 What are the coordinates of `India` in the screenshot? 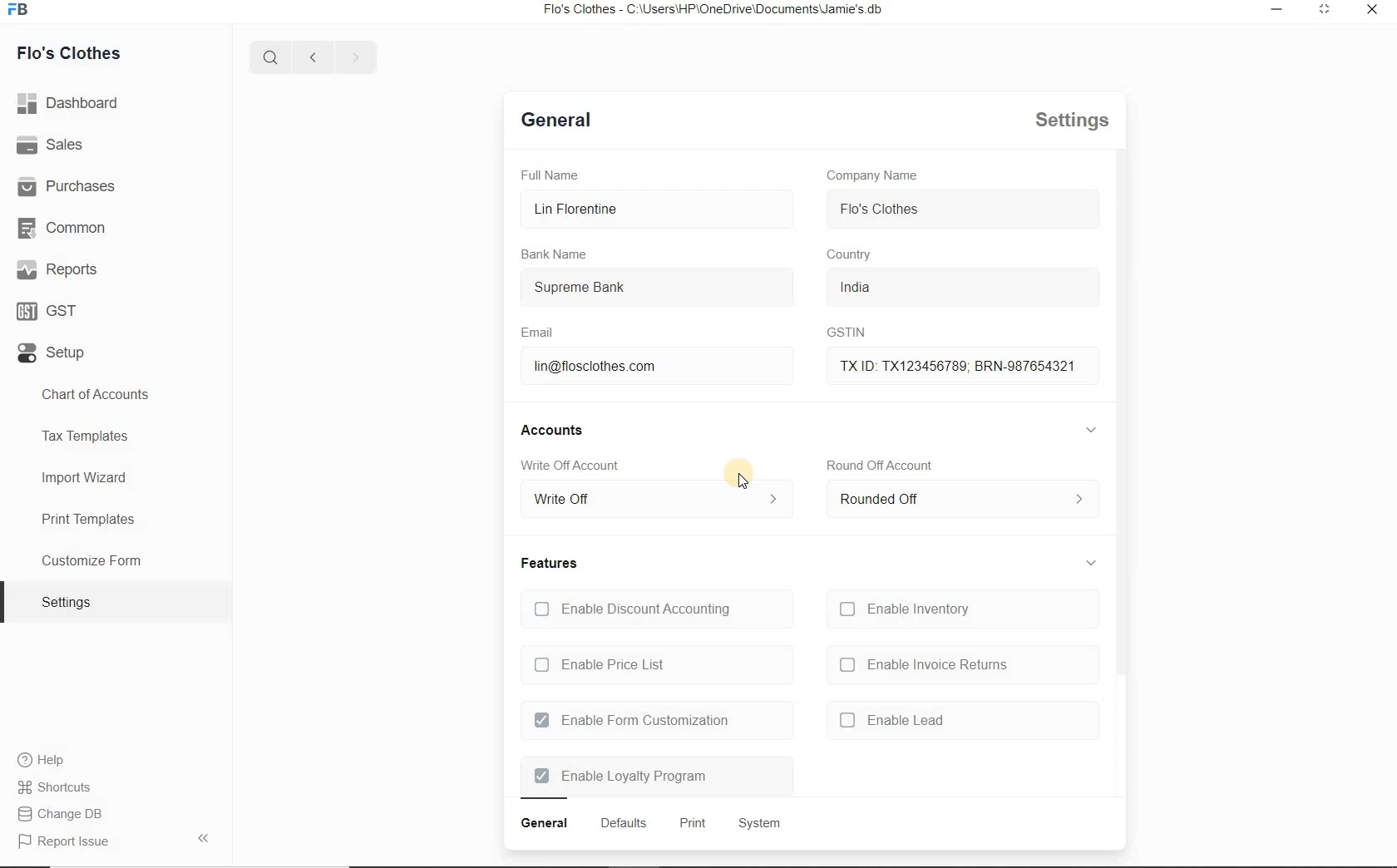 It's located at (961, 287).